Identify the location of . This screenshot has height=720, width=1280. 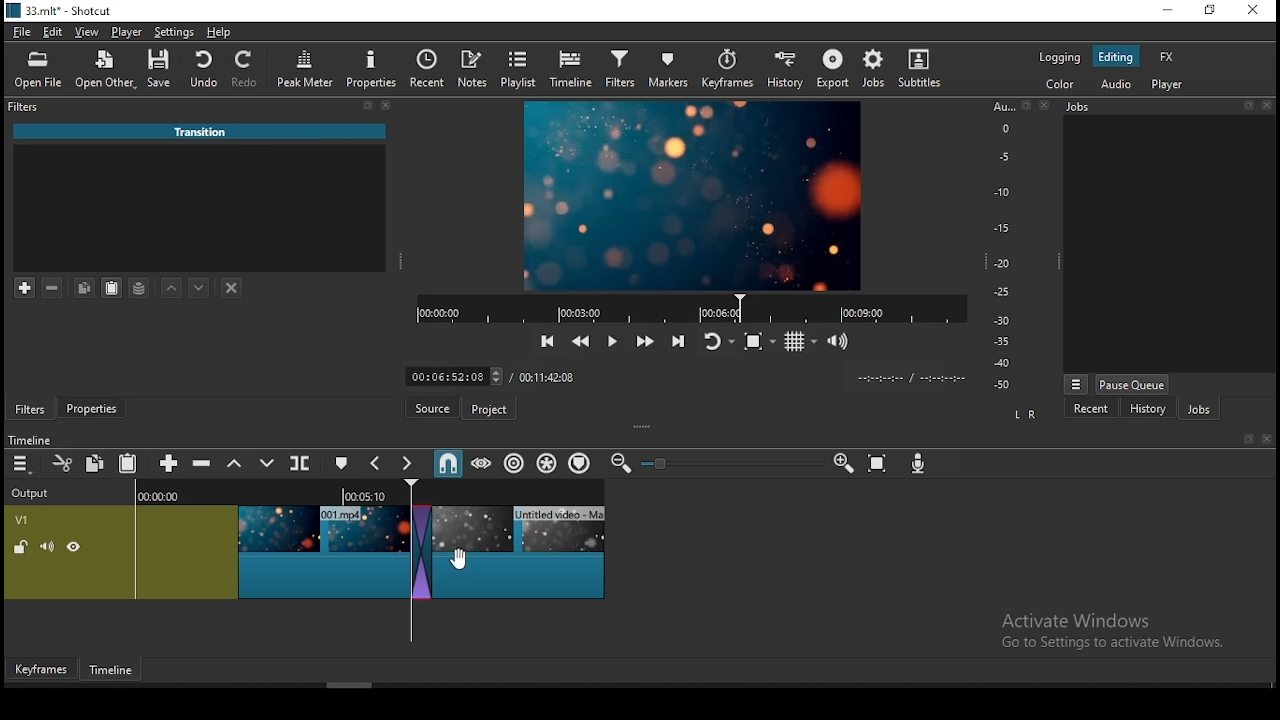
(844, 464).